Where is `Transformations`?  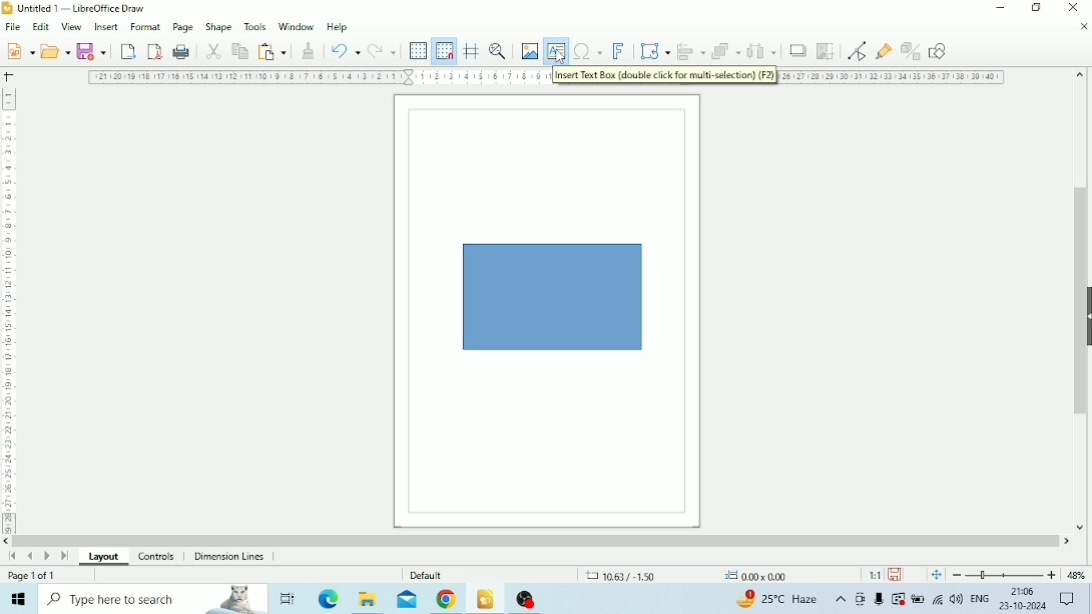 Transformations is located at coordinates (655, 51).